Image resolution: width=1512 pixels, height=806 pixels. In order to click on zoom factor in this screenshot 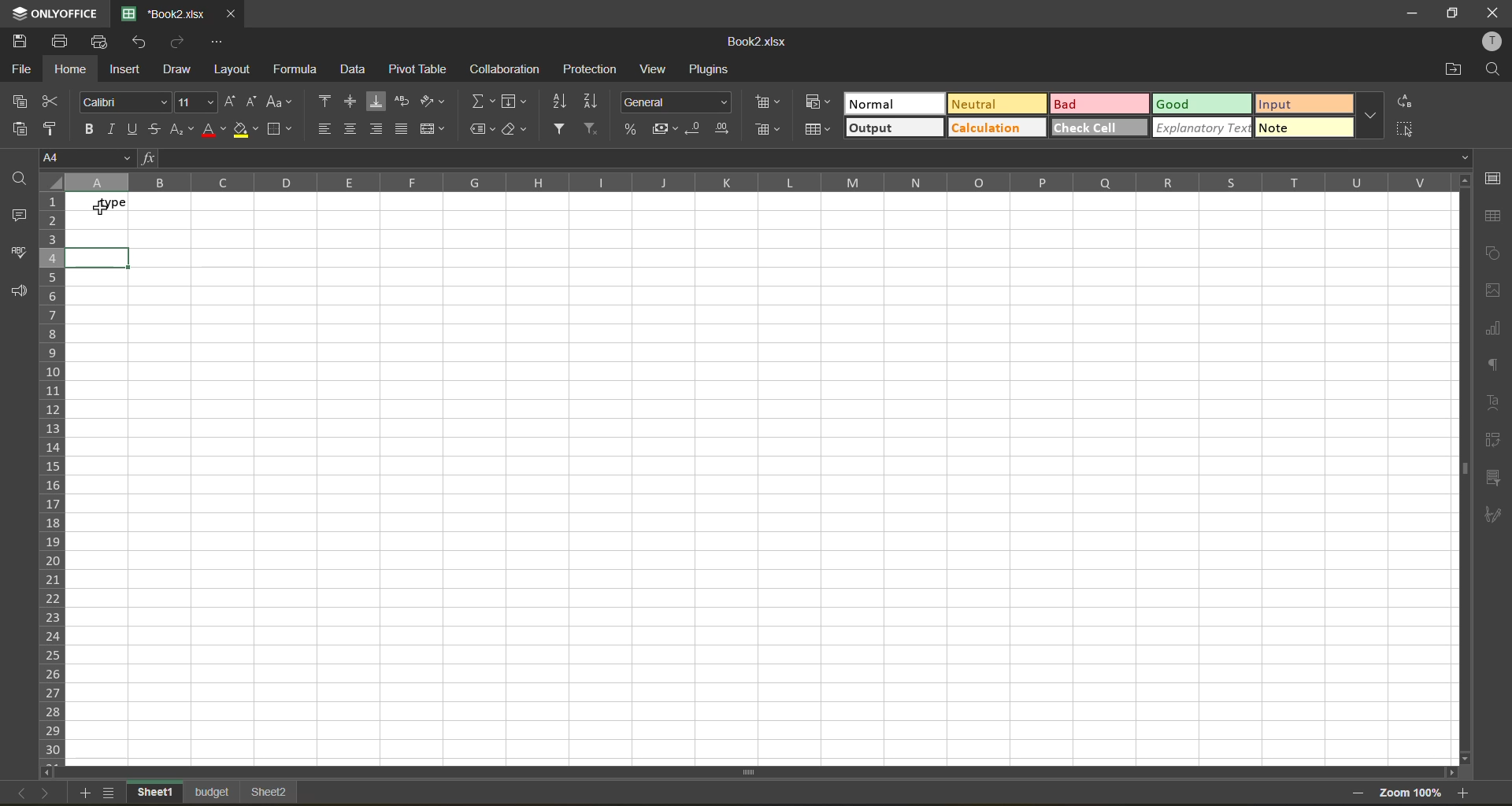, I will do `click(1413, 794)`.